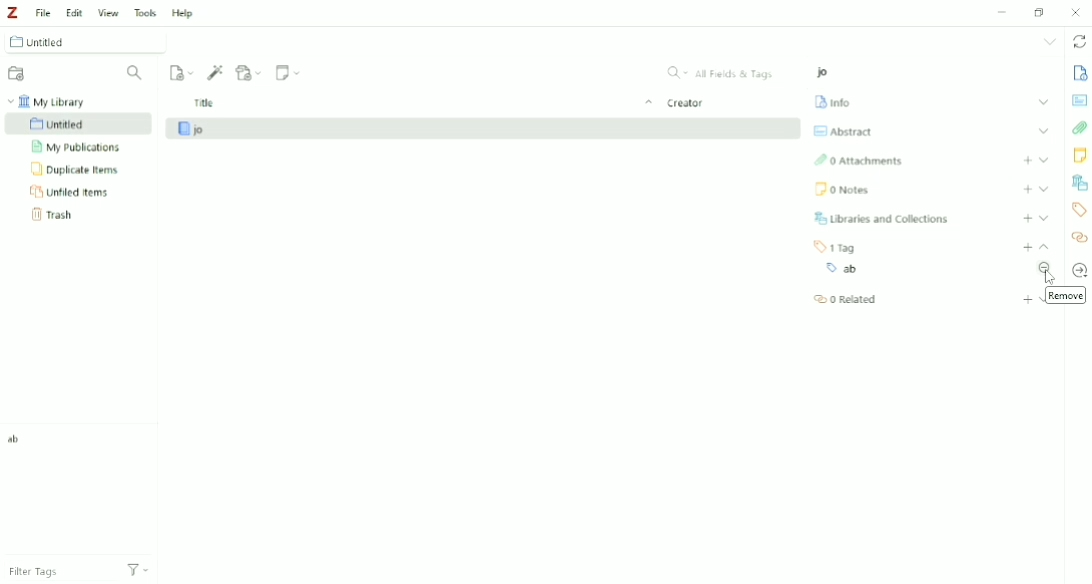 The height and width of the screenshot is (584, 1092). What do you see at coordinates (1078, 128) in the screenshot?
I see `Attachments` at bounding box center [1078, 128].